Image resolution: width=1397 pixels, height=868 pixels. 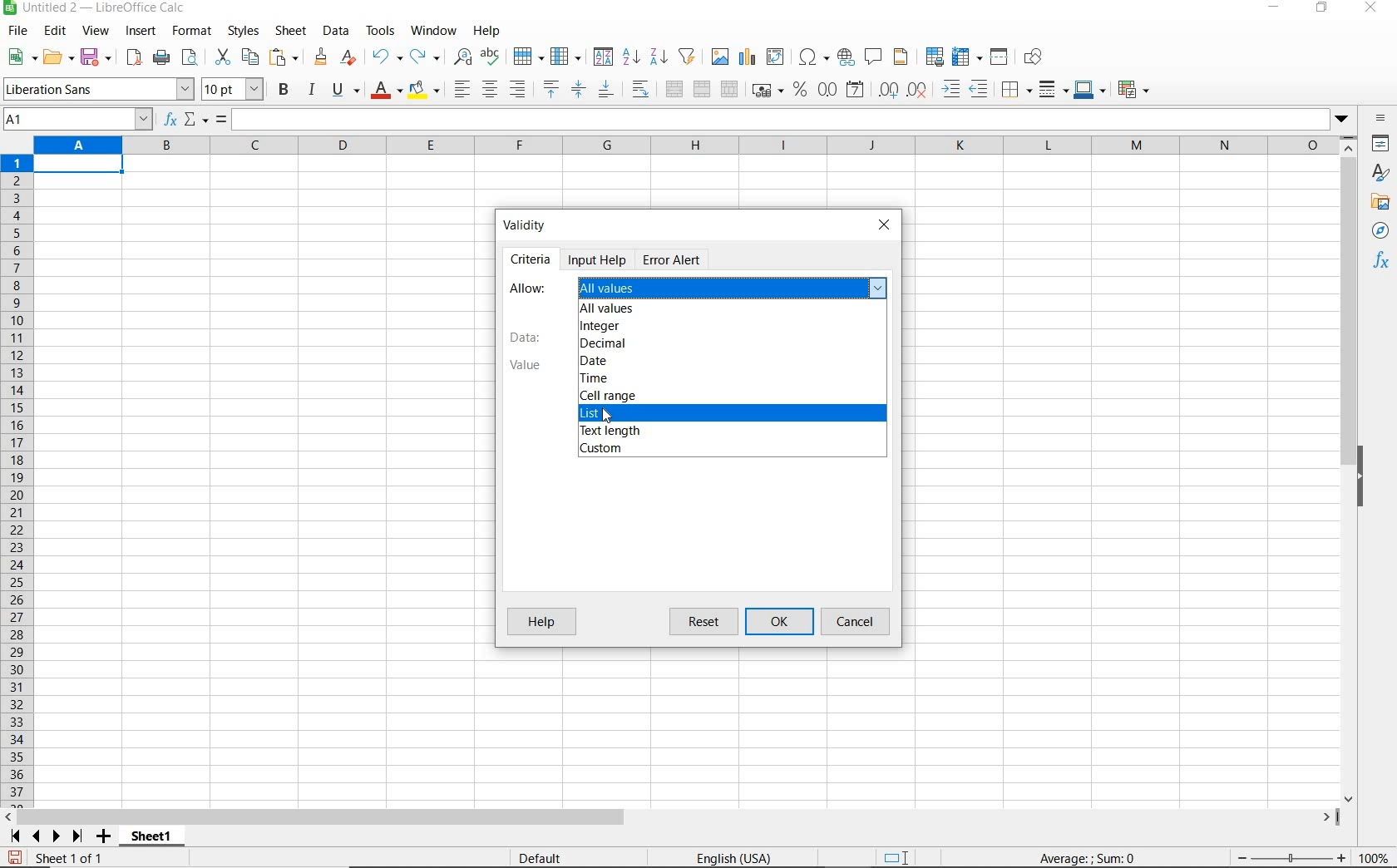 What do you see at coordinates (221, 121) in the screenshot?
I see `formula` at bounding box center [221, 121].